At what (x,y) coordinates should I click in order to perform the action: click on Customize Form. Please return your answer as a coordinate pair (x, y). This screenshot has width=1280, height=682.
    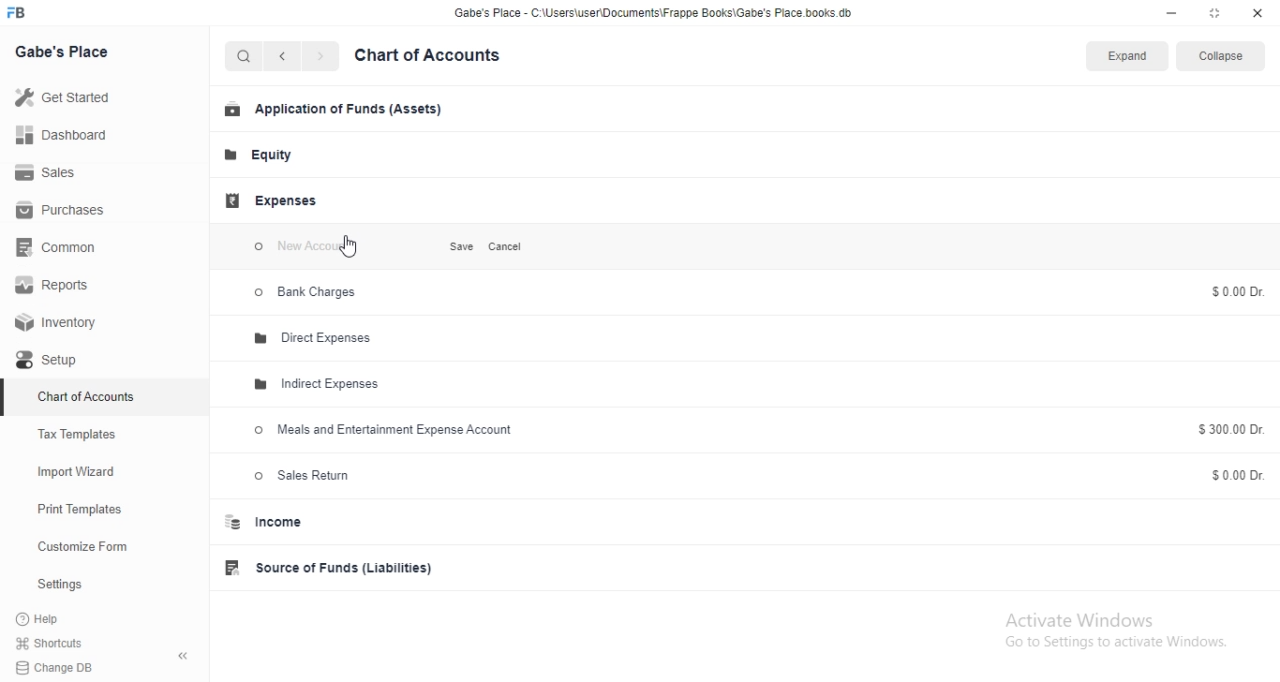
    Looking at the image, I should click on (84, 545).